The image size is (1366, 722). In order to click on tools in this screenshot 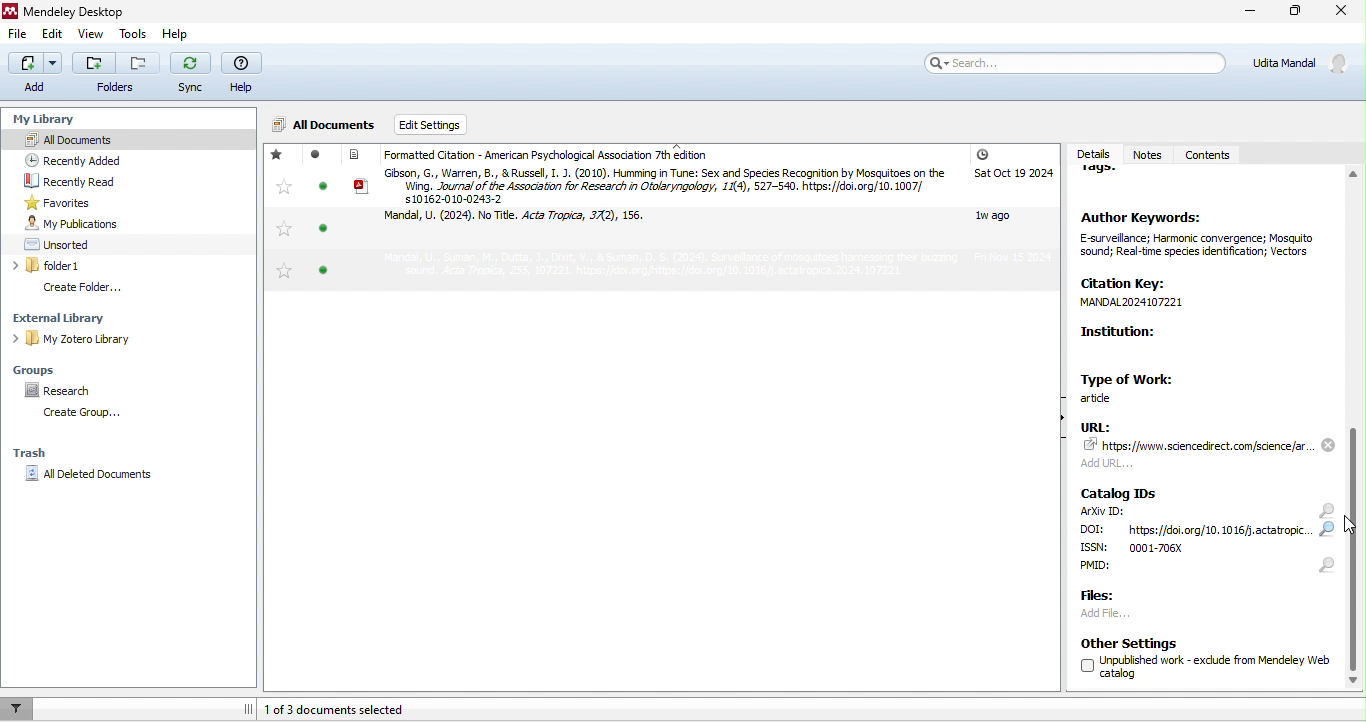, I will do `click(132, 34)`.